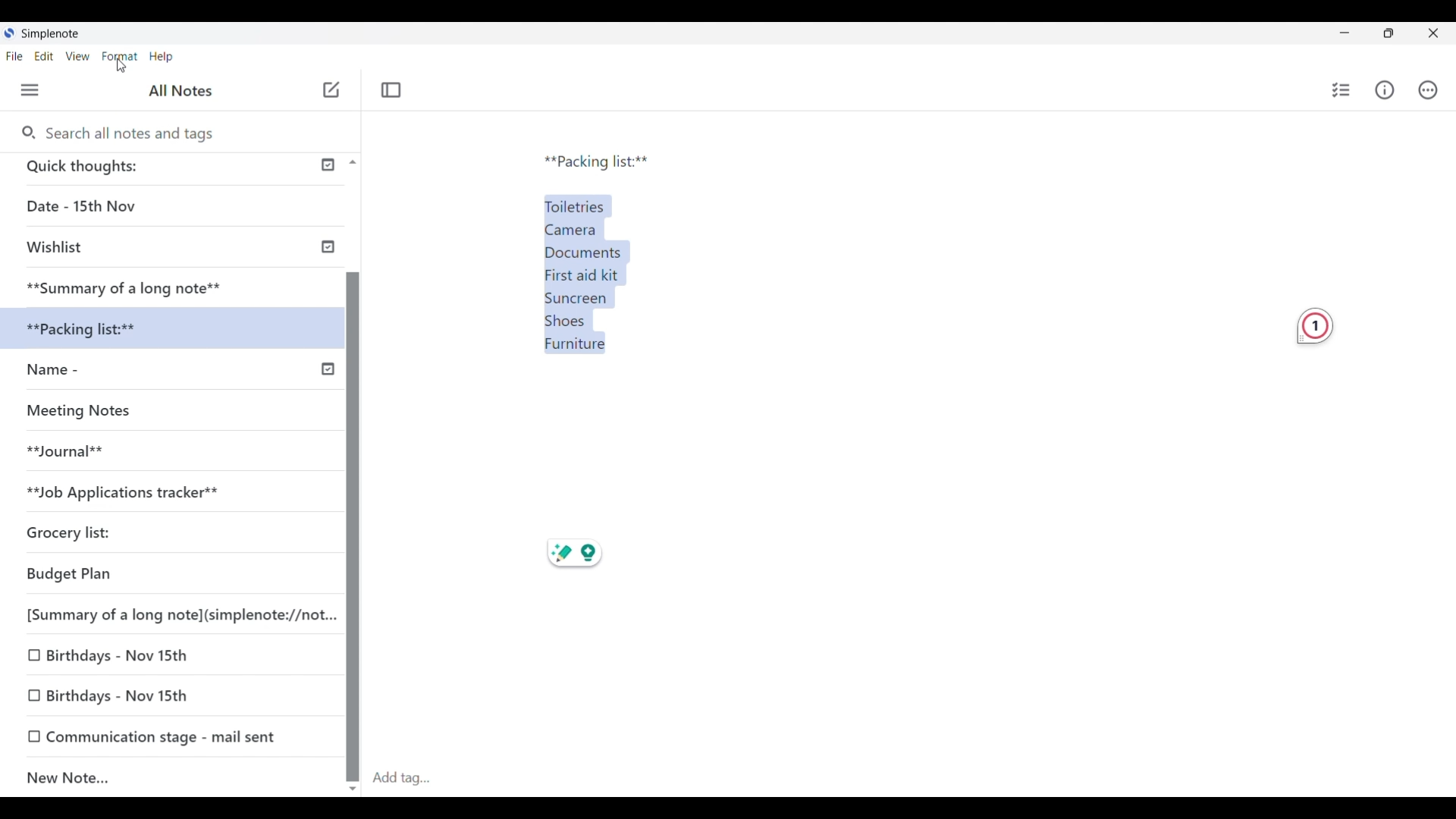 The image size is (1456, 819). I want to click on Close interface, so click(1433, 33).